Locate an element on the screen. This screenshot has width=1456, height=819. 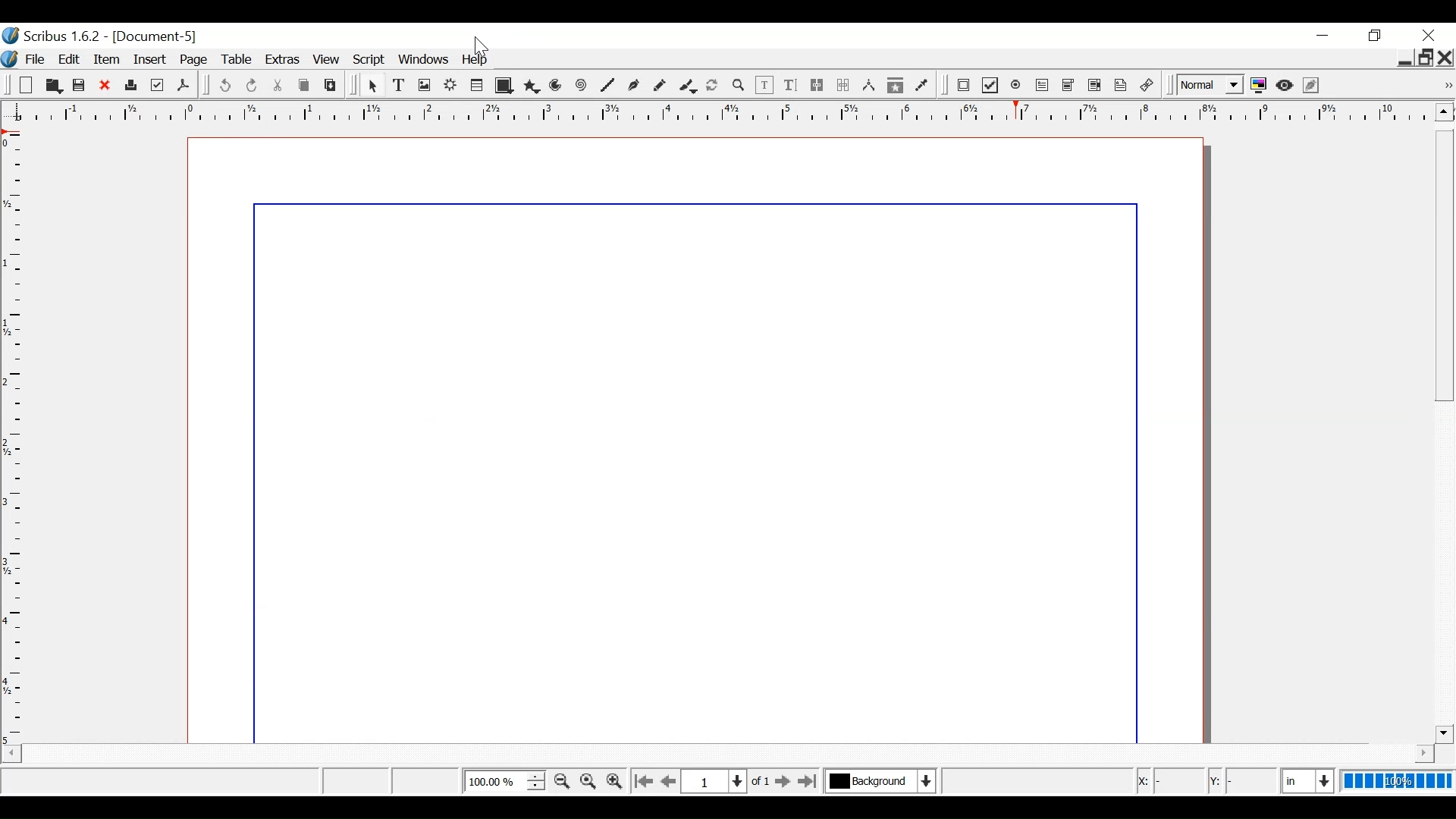
Paste is located at coordinates (331, 85).